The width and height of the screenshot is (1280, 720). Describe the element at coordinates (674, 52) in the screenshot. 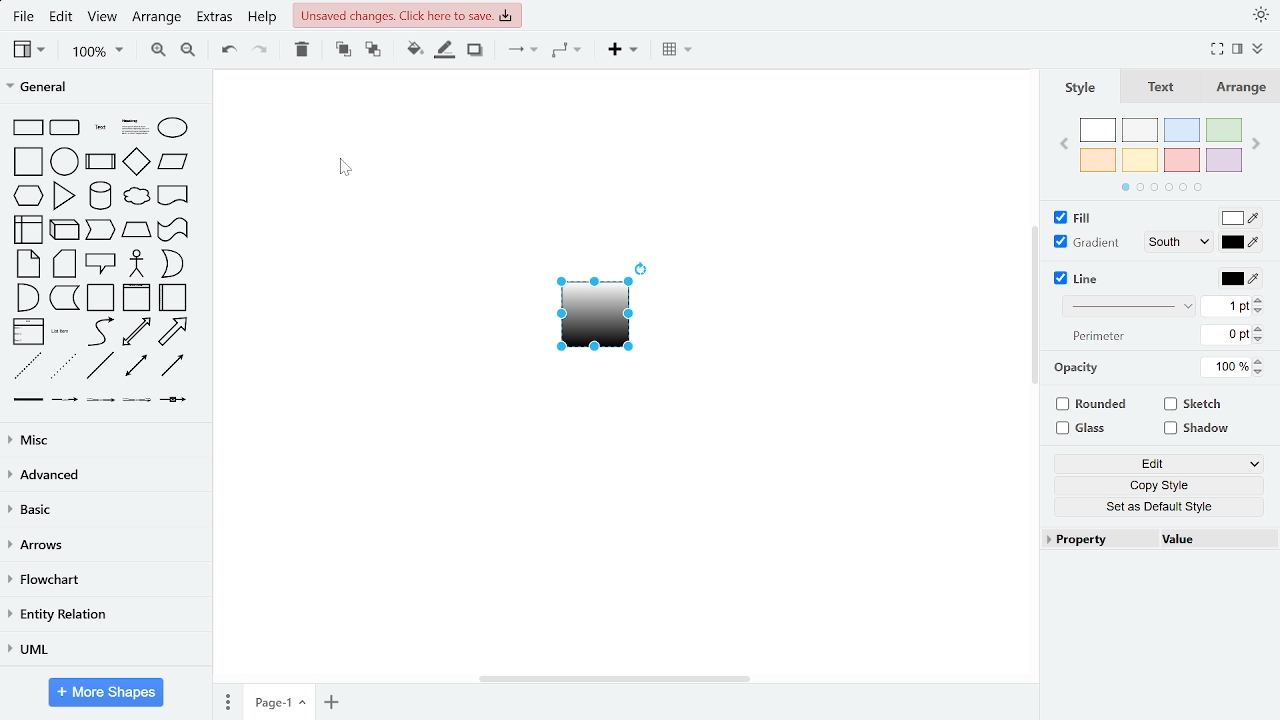

I see `table` at that location.